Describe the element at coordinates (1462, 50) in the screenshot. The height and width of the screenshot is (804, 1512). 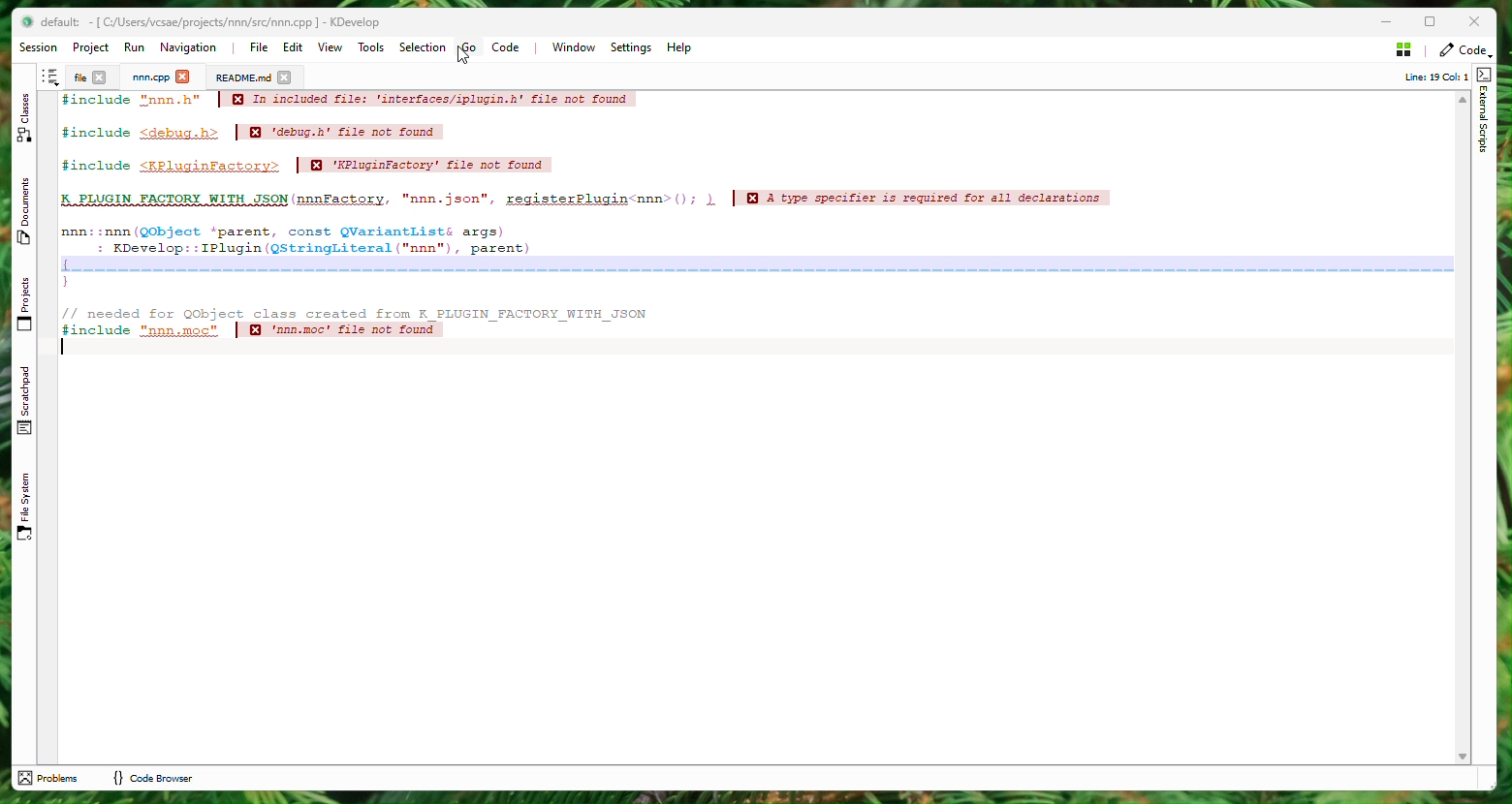
I see `Code` at that location.